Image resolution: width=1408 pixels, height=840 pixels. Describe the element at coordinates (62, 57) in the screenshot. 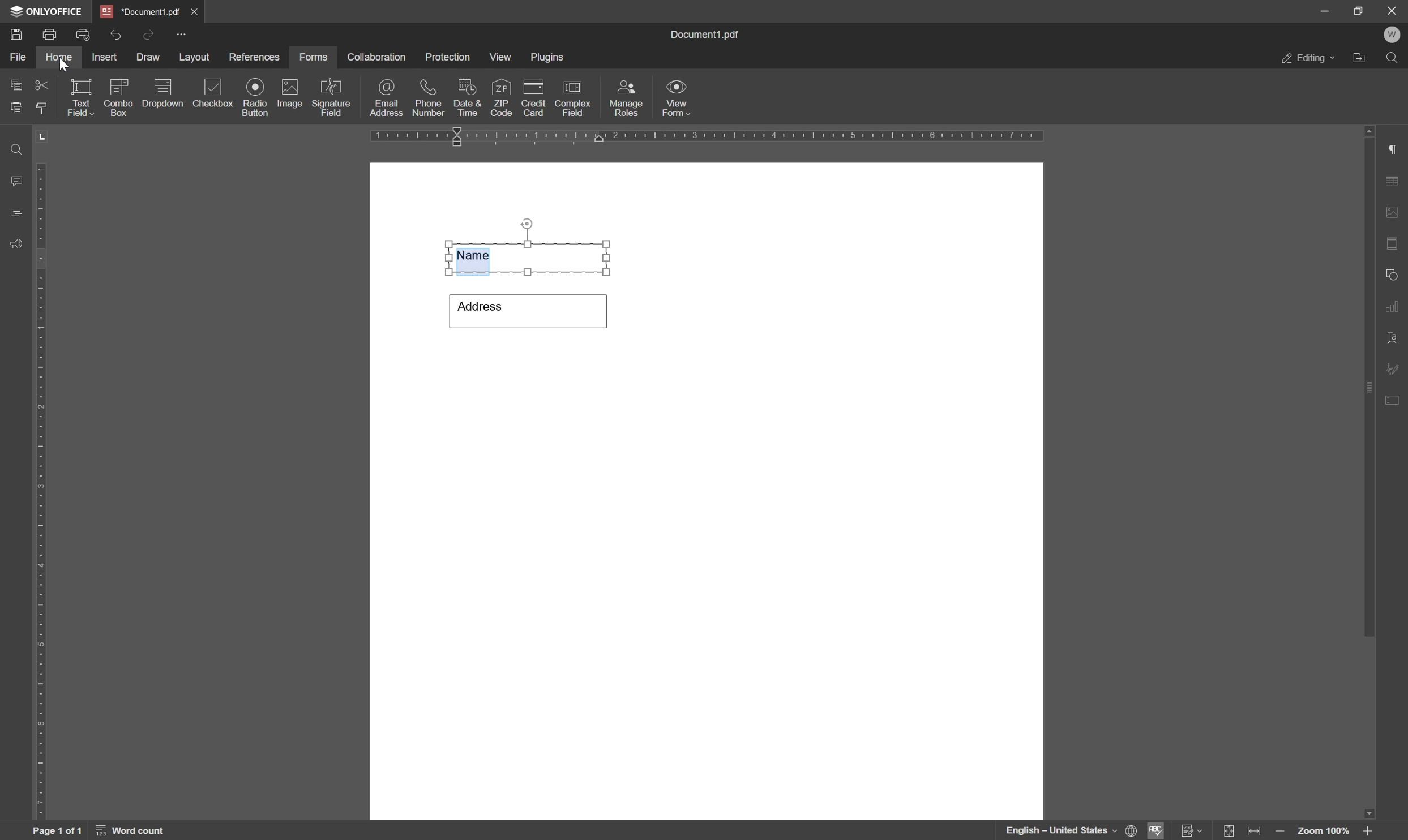

I see `home` at that location.